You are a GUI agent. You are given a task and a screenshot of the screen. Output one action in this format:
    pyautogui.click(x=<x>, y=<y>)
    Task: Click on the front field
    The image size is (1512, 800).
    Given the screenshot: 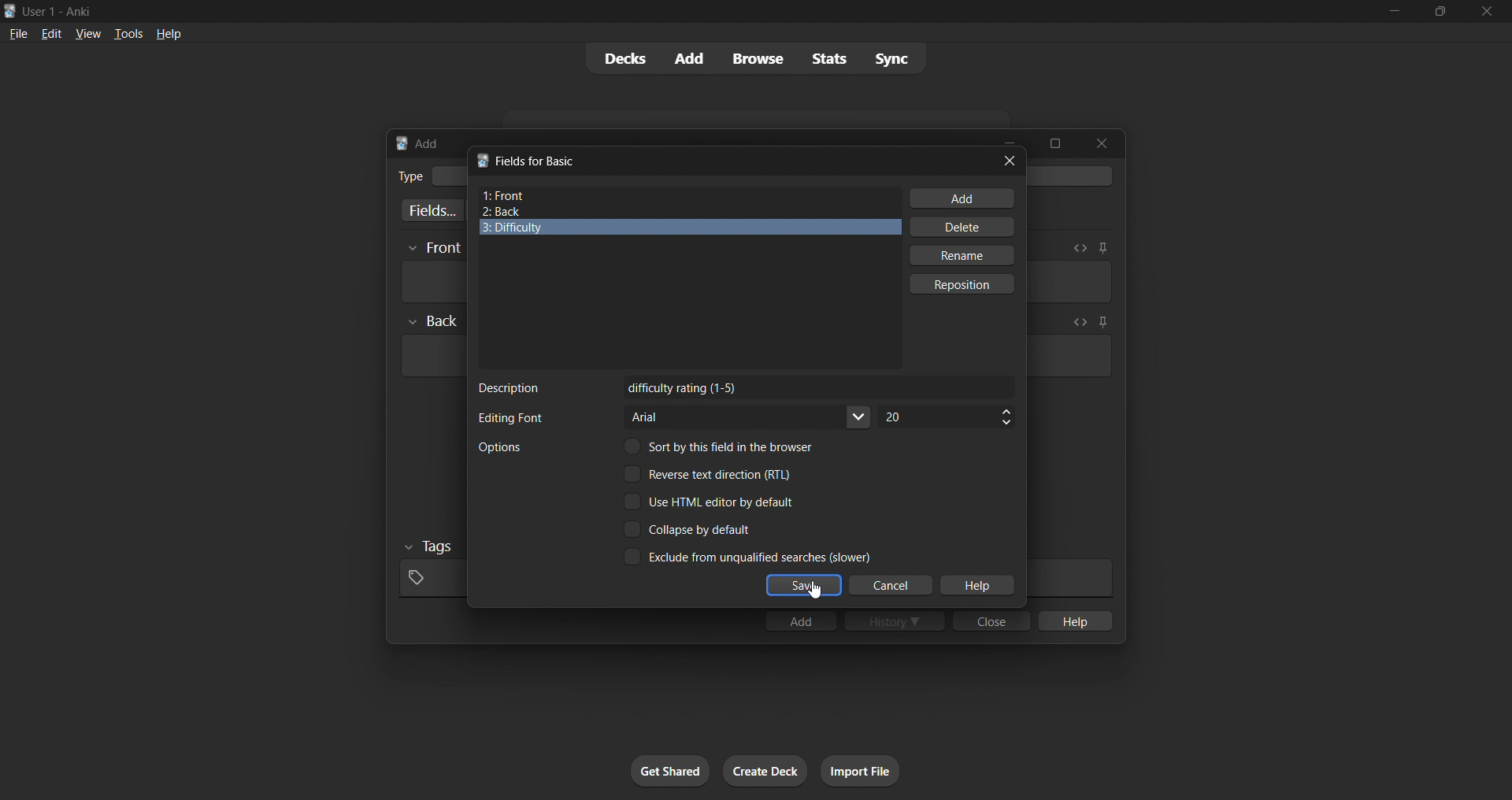 What is the action you would take?
    pyautogui.click(x=690, y=196)
    